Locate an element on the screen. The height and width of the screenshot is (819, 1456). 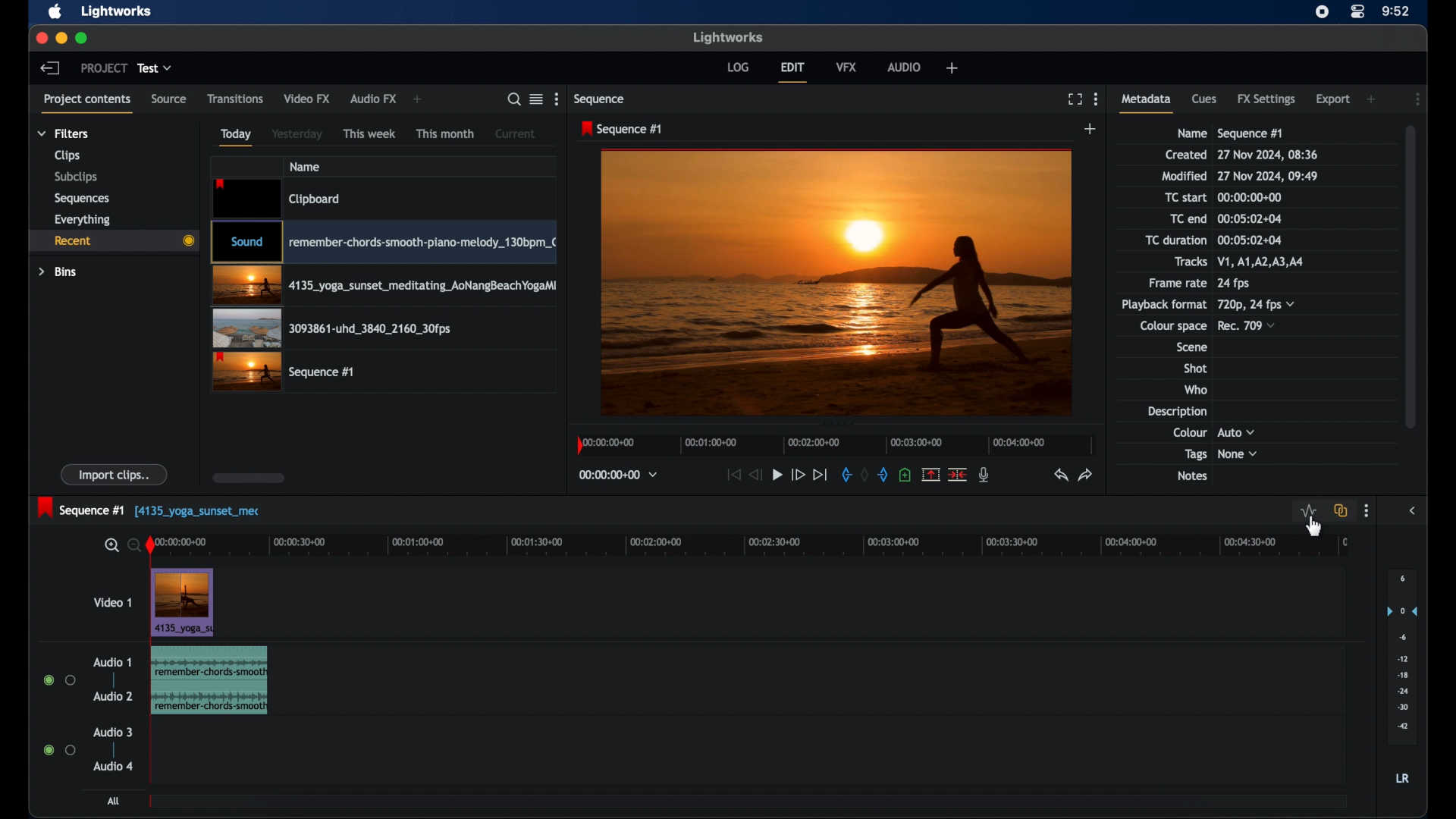
source is located at coordinates (169, 98).